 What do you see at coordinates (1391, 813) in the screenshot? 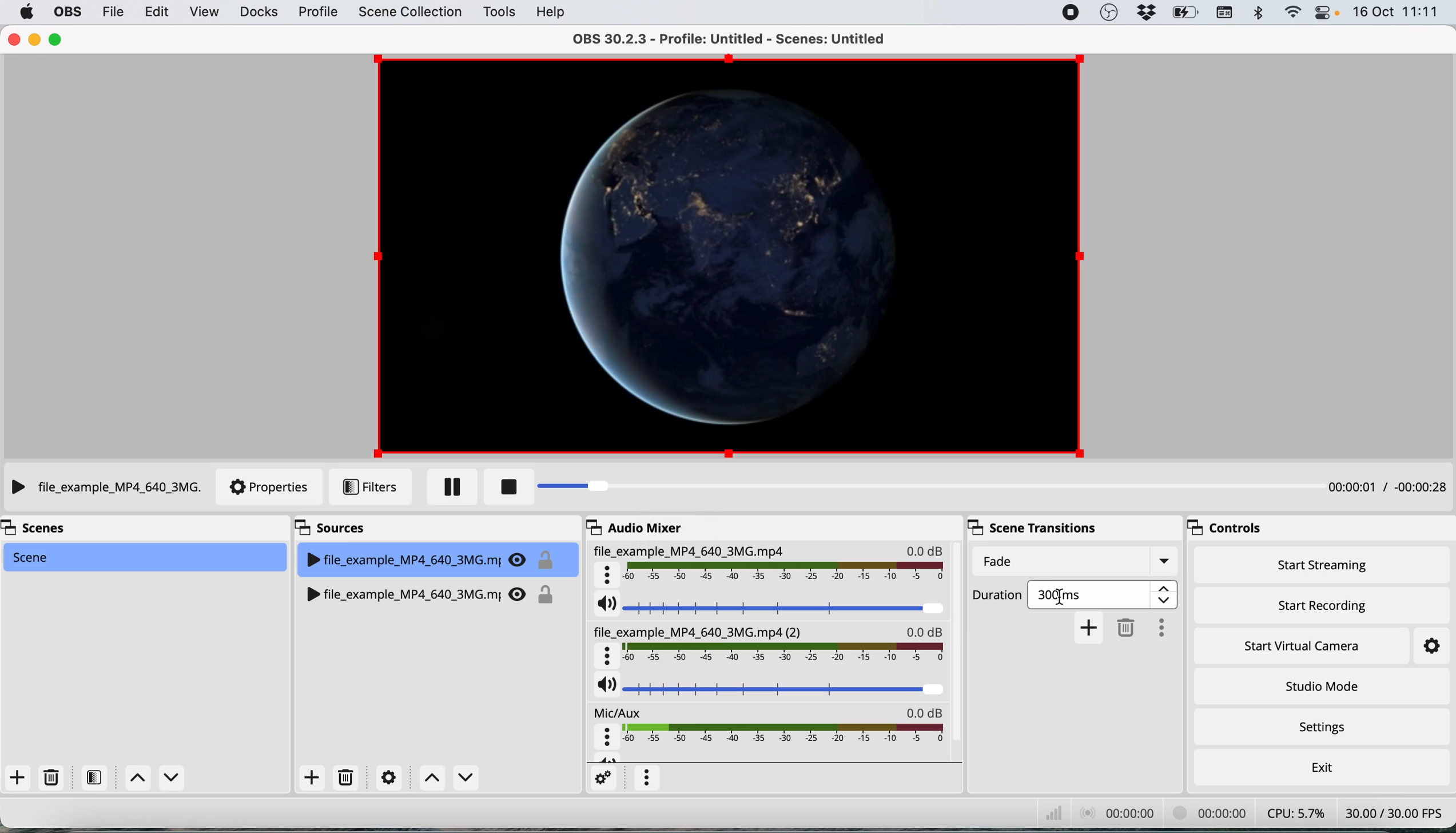
I see `frames per second` at bounding box center [1391, 813].